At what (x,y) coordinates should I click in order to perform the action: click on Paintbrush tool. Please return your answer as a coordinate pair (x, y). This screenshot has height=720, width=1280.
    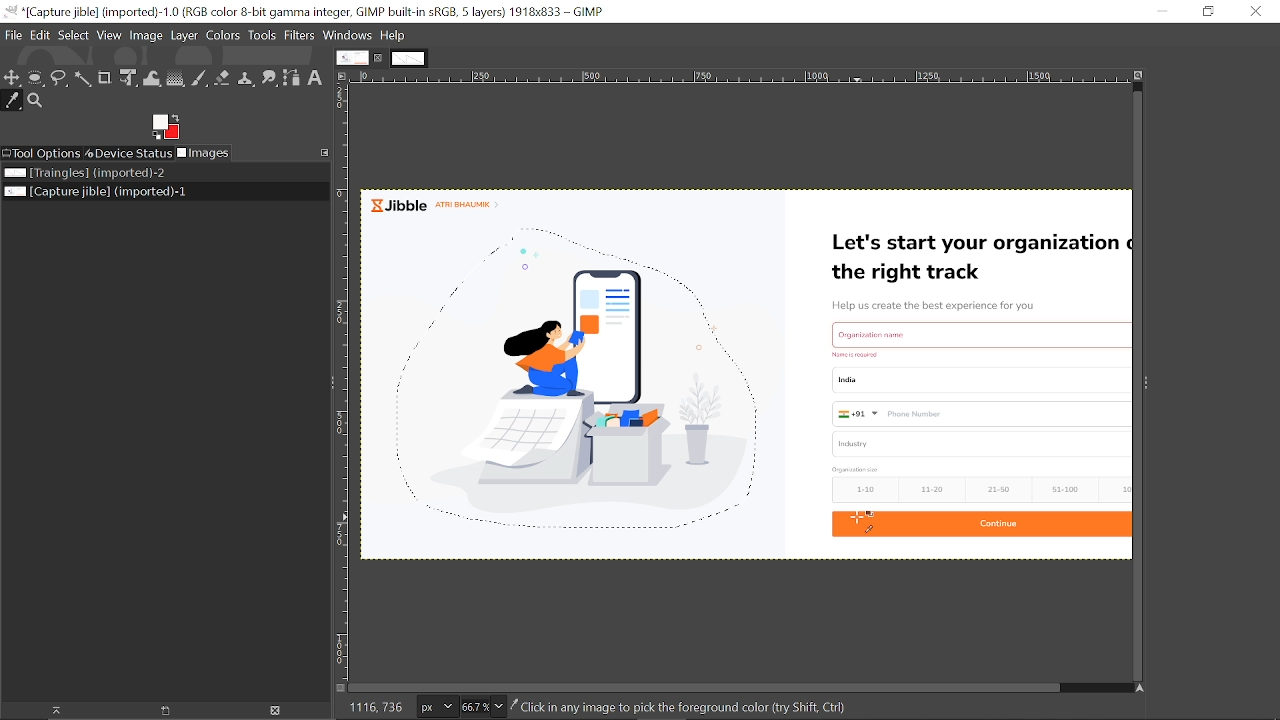
    Looking at the image, I should click on (200, 79).